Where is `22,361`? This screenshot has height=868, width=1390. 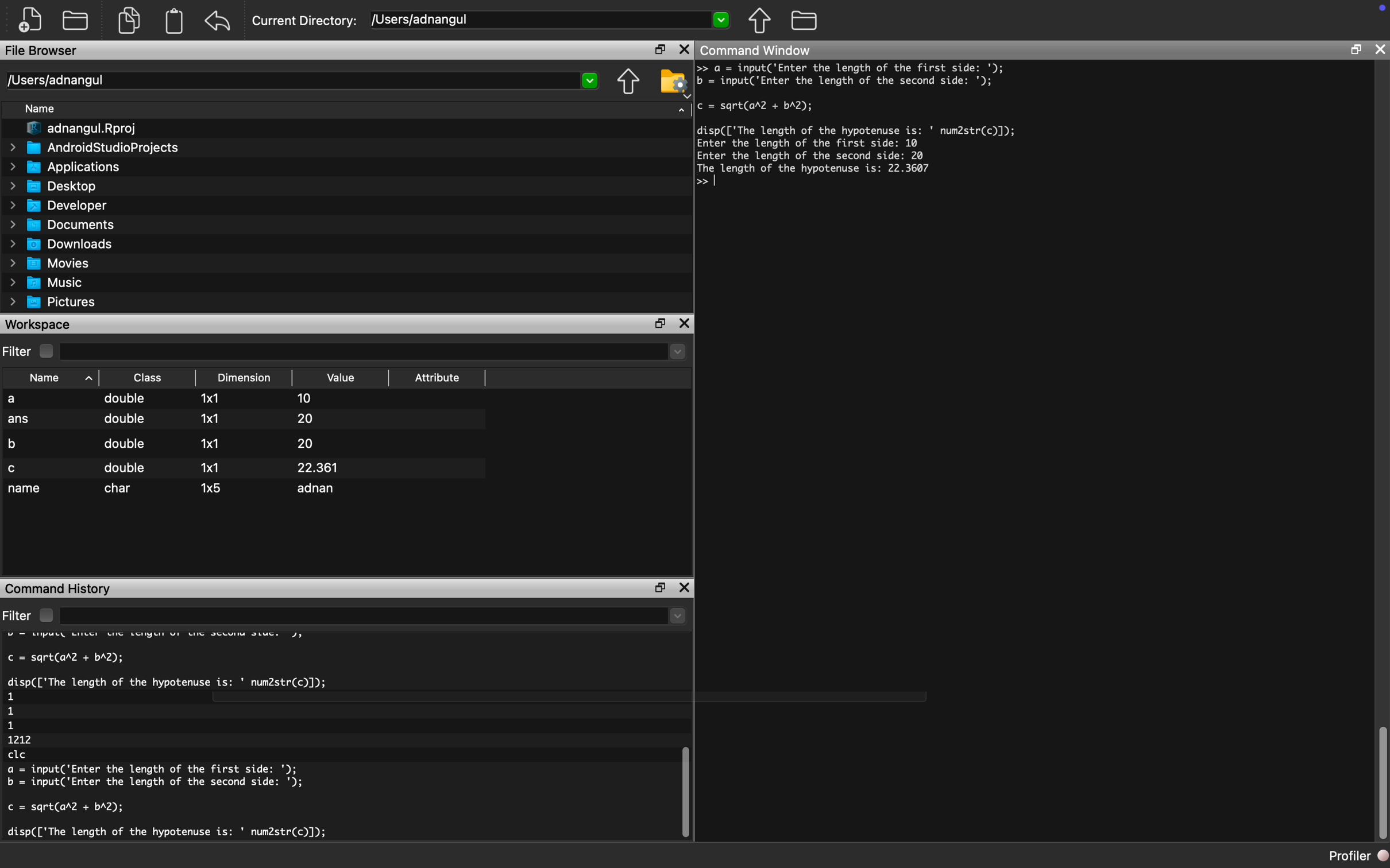
22,361 is located at coordinates (336, 466).